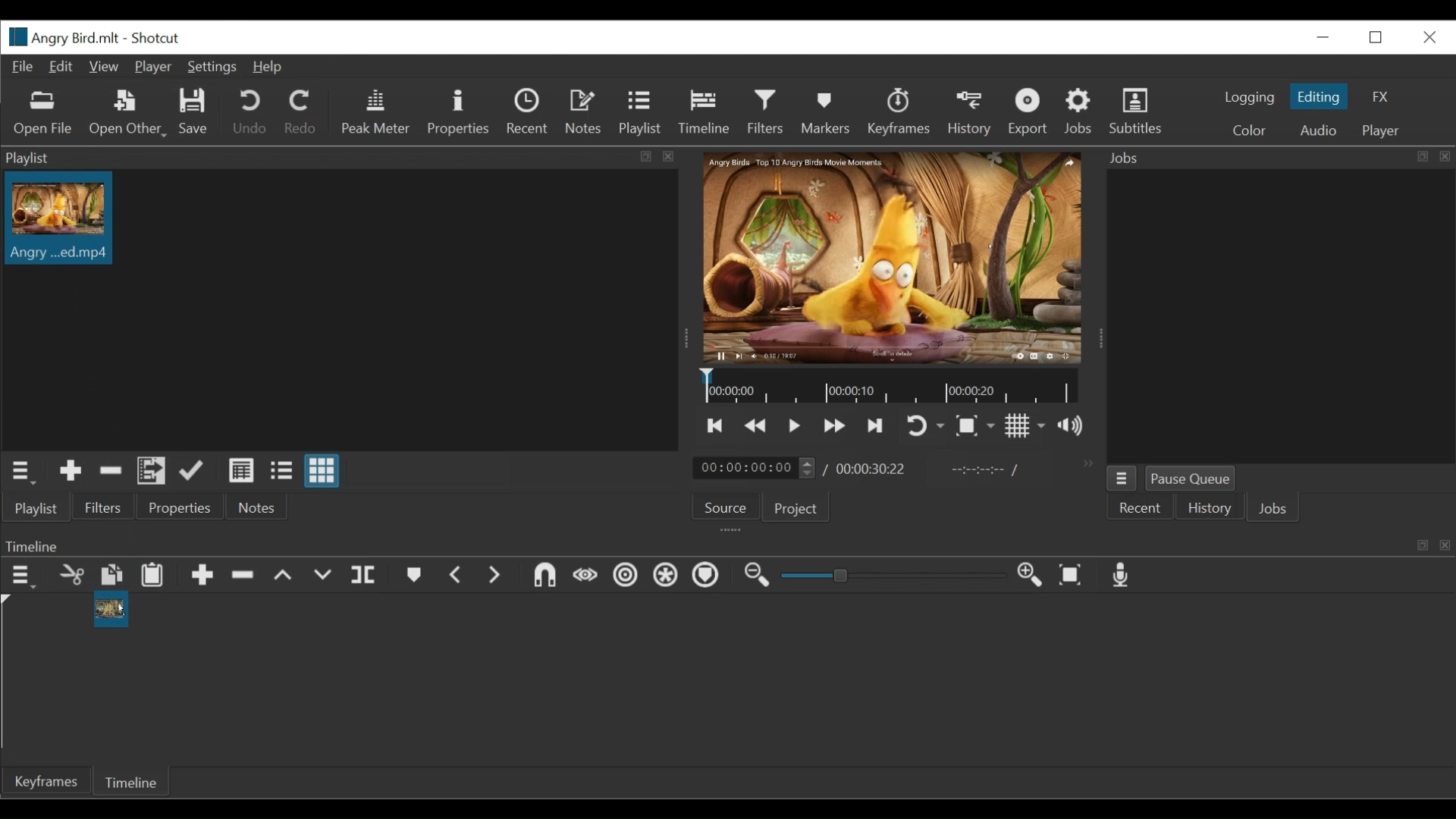 The height and width of the screenshot is (819, 1456). What do you see at coordinates (128, 115) in the screenshot?
I see `Open Other` at bounding box center [128, 115].